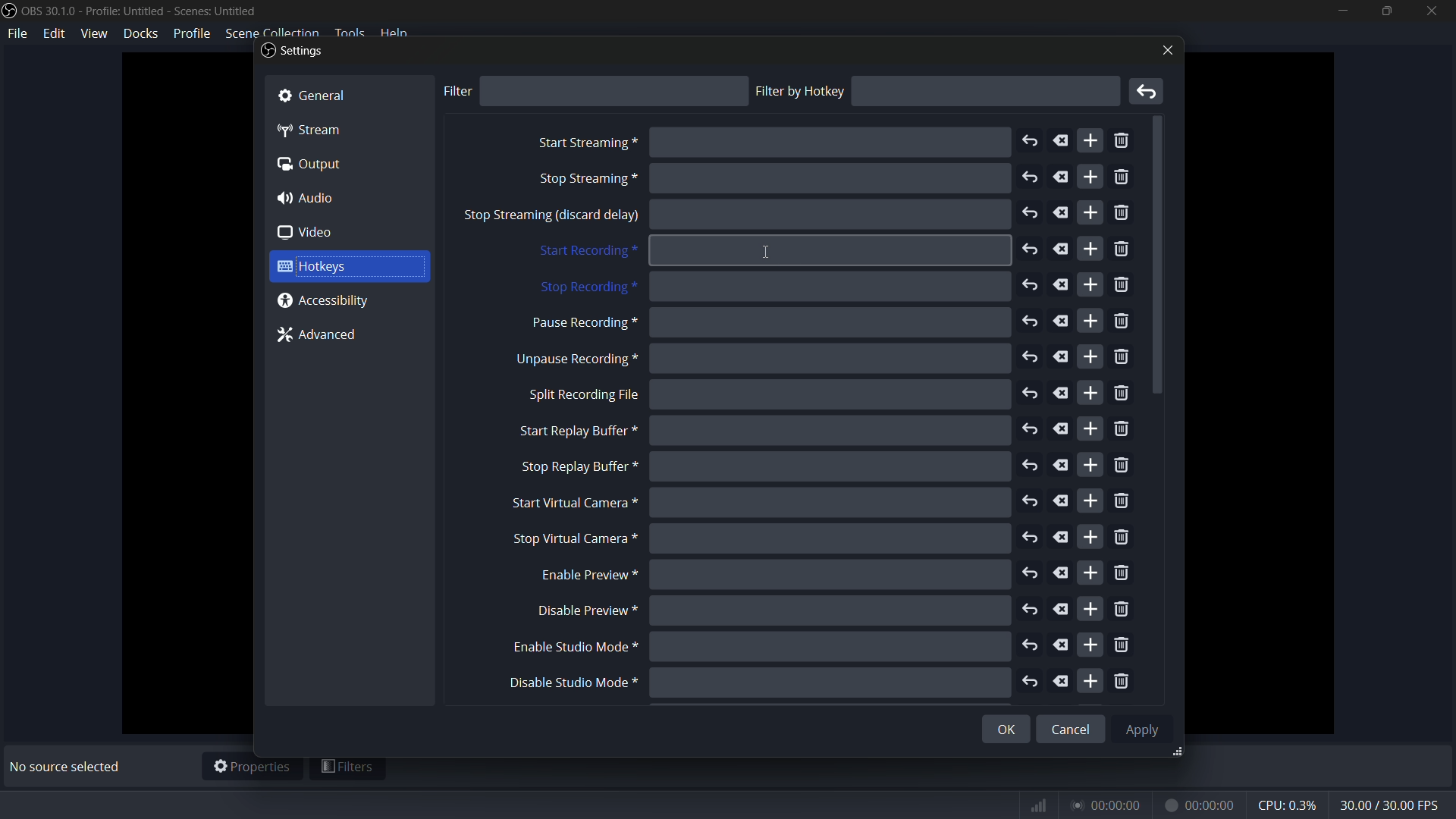 The width and height of the screenshot is (1456, 819). Describe the element at coordinates (1031, 575) in the screenshot. I see `undo` at that location.